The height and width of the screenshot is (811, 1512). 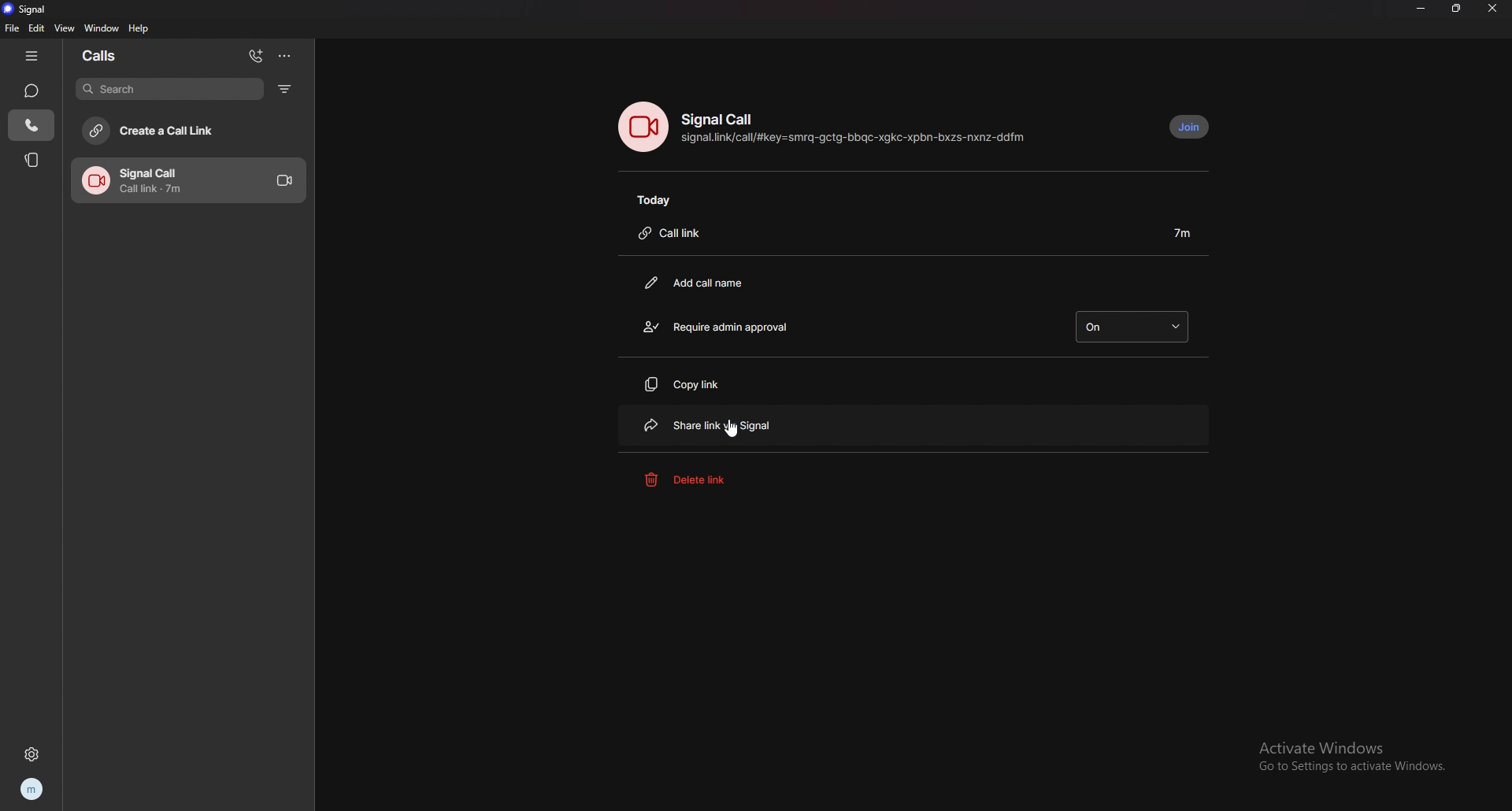 I want to click on filter, so click(x=284, y=89).